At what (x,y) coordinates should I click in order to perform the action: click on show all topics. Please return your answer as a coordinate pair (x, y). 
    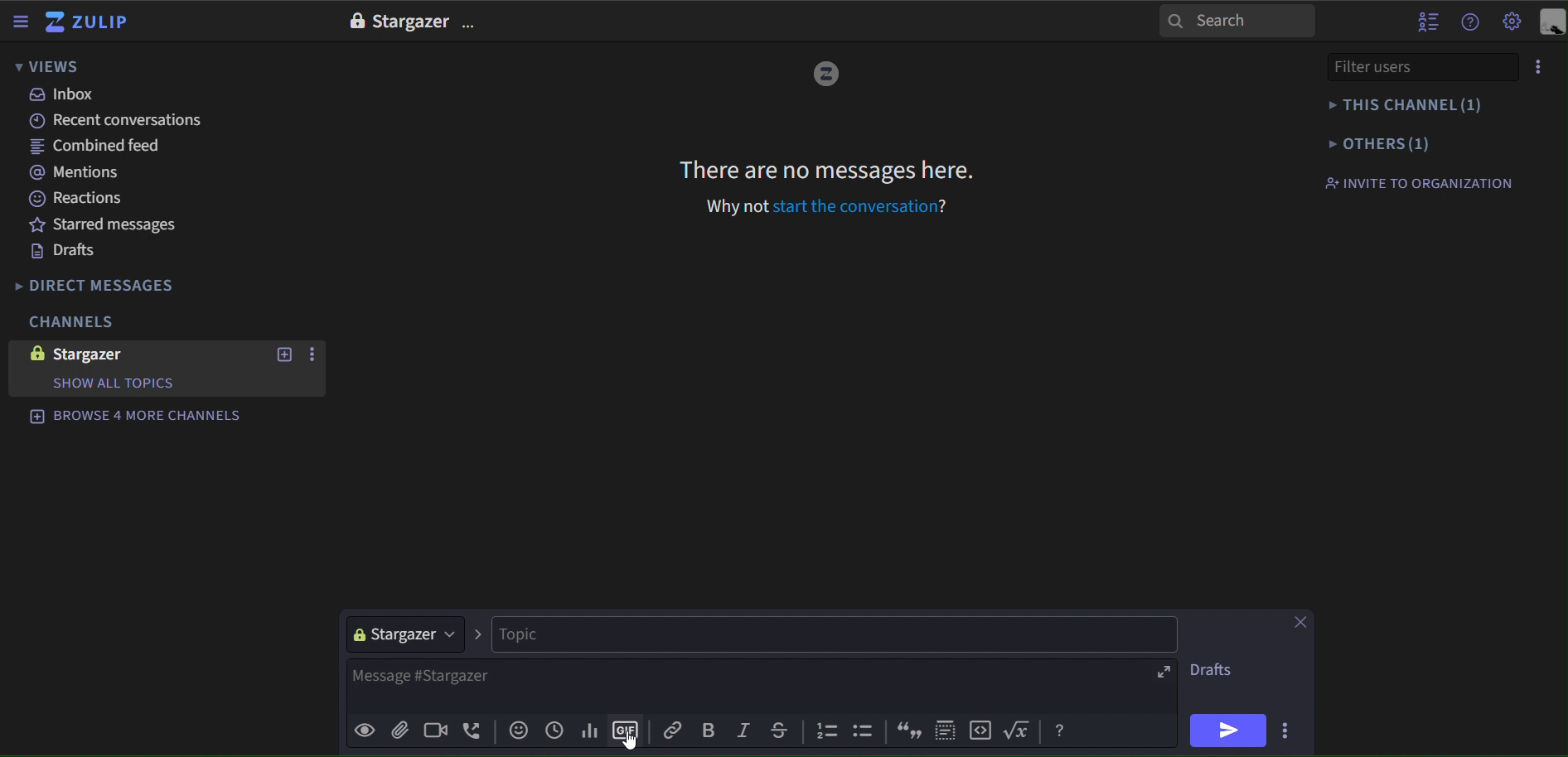
    Looking at the image, I should click on (112, 383).